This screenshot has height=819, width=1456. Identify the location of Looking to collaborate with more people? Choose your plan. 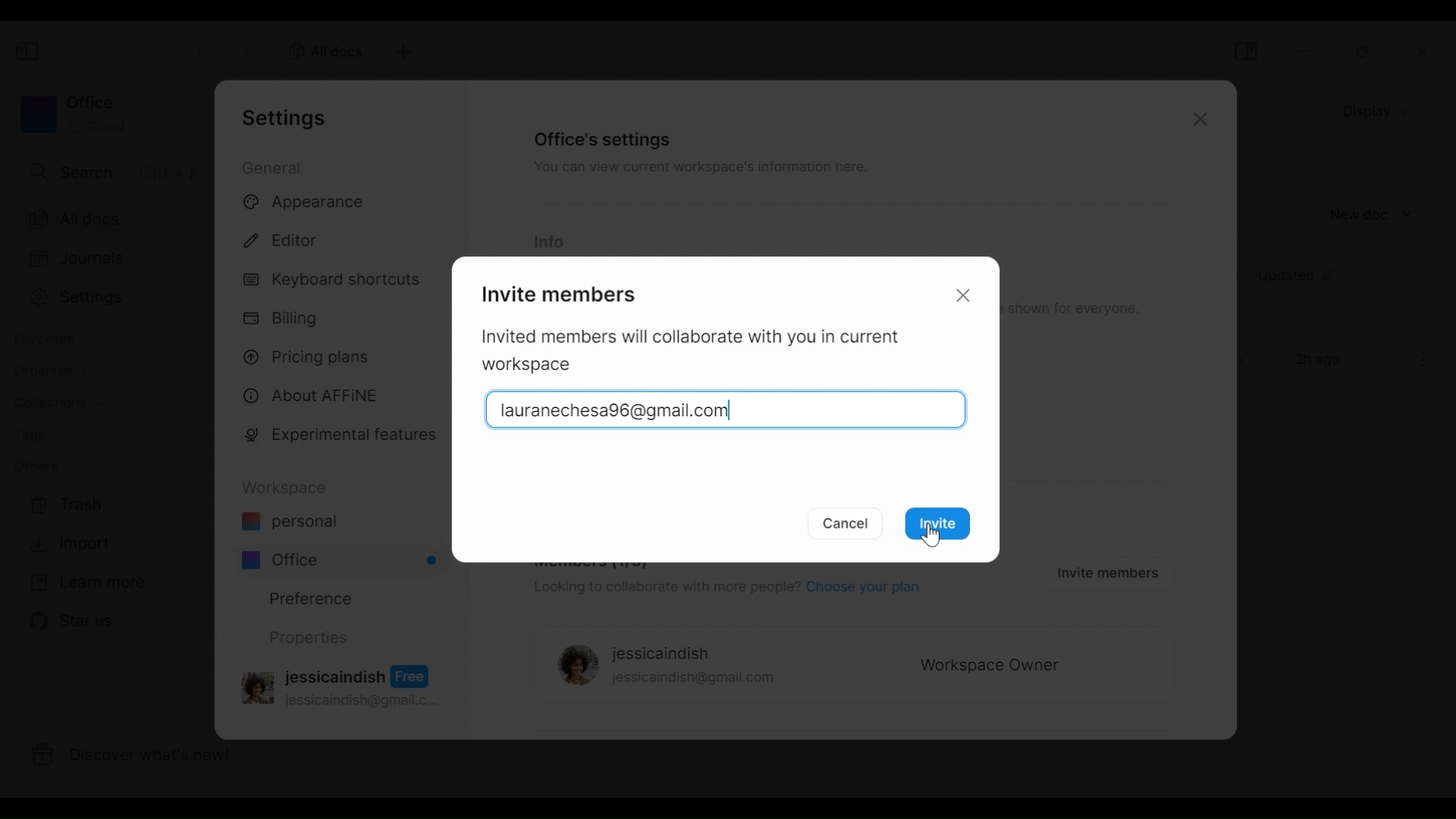
(724, 589).